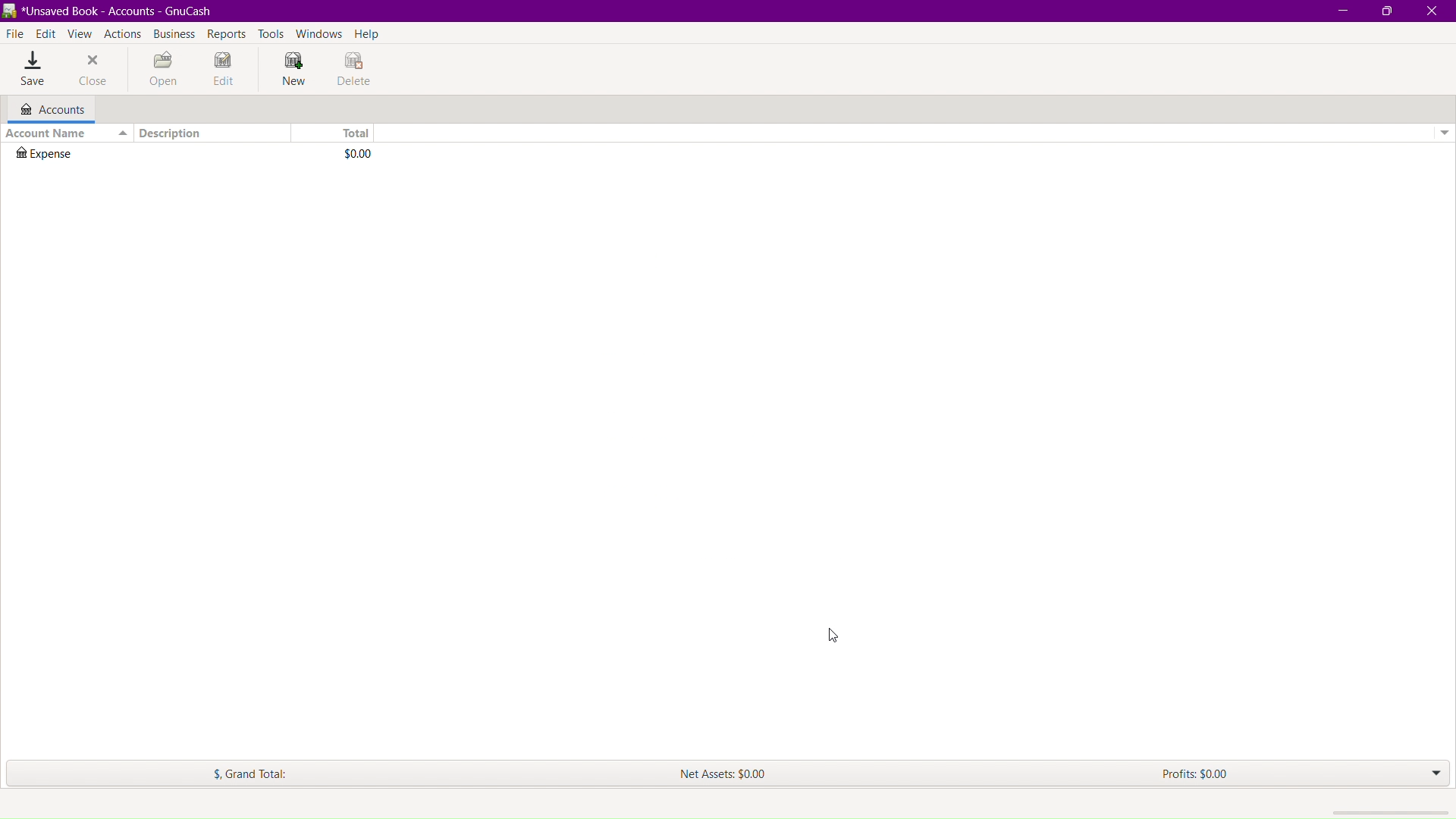  I want to click on Delete, so click(354, 71).